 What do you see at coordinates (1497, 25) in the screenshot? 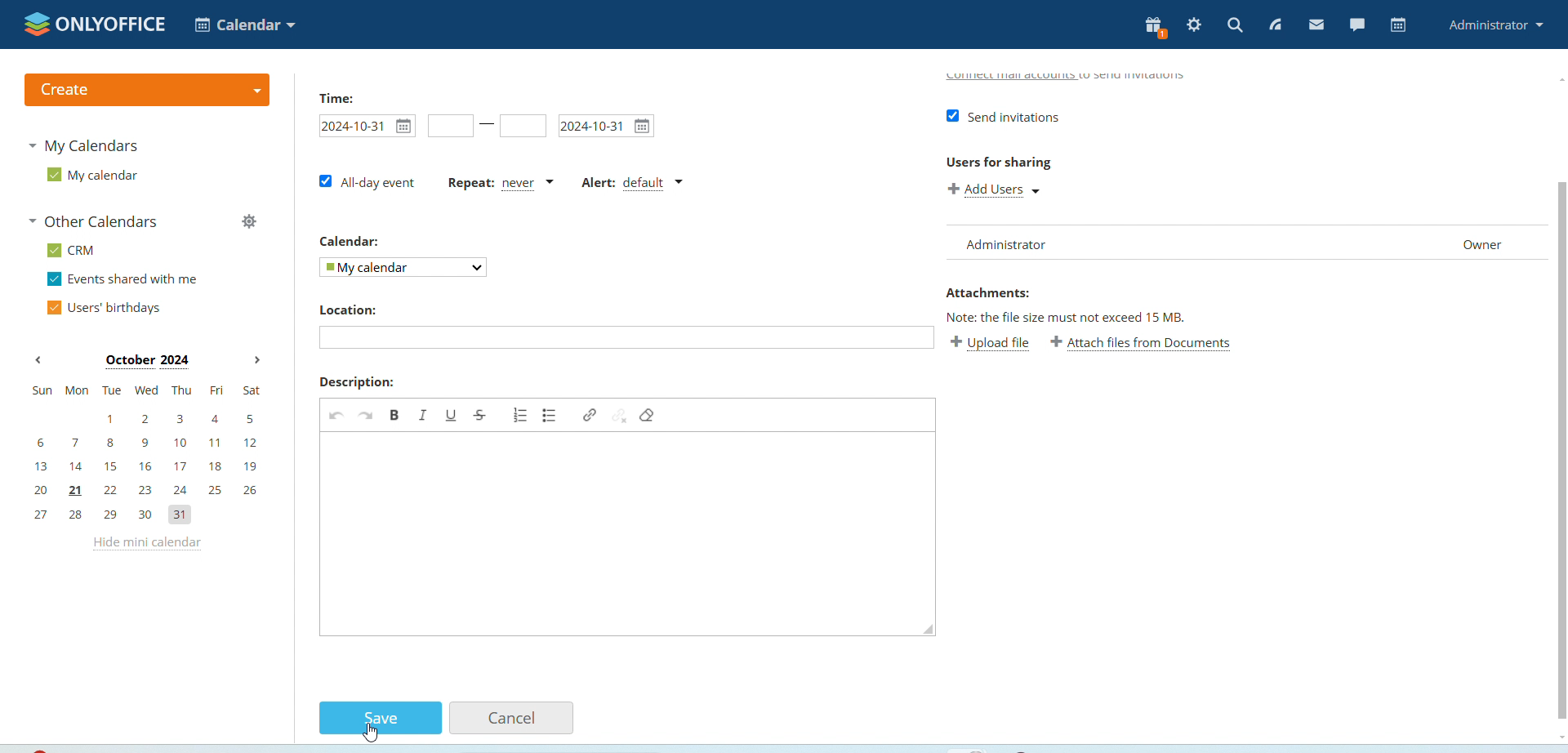
I see `administrator` at bounding box center [1497, 25].